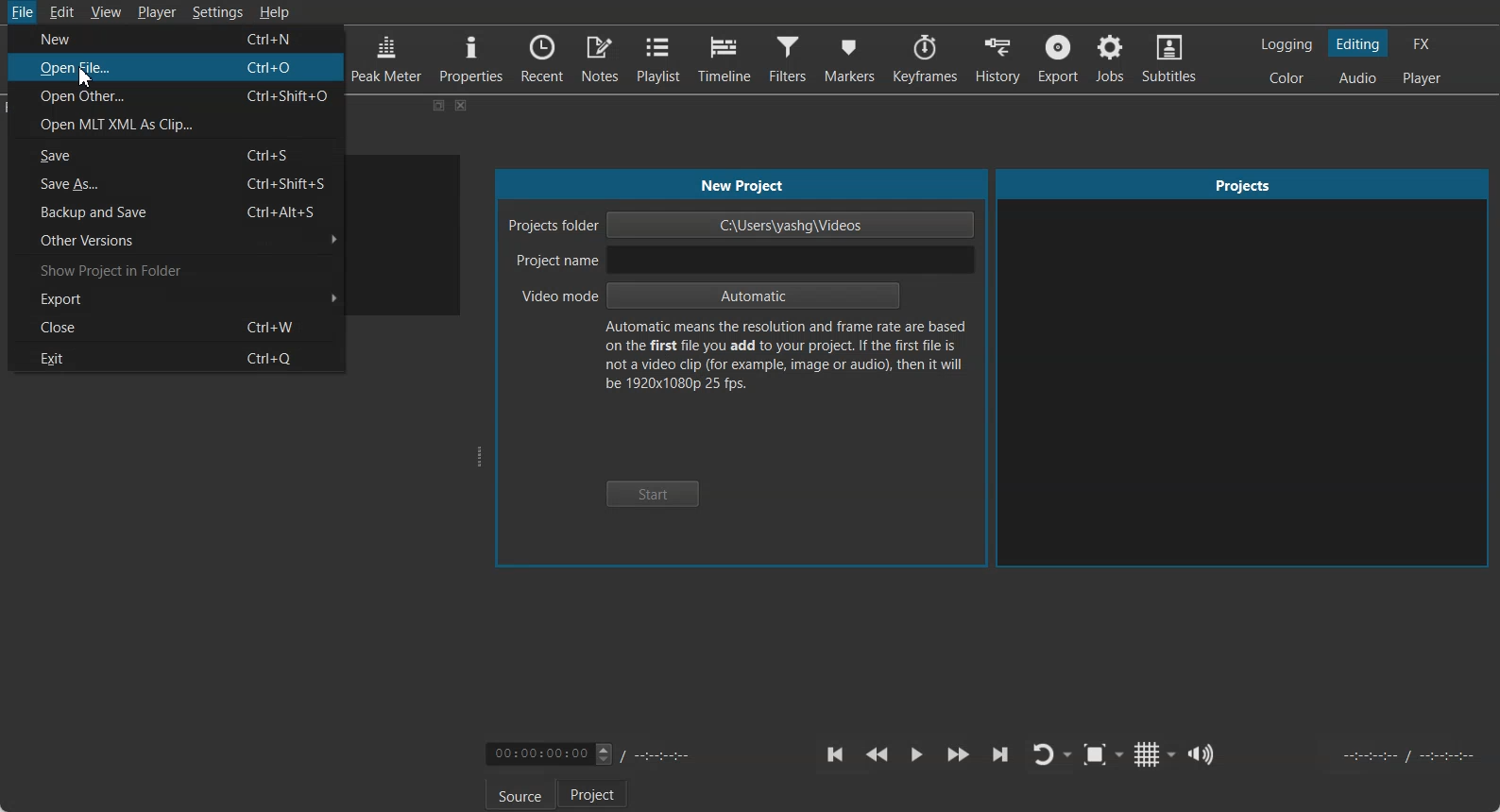 This screenshot has height=812, width=1500. I want to click on Switching to the Player only layout, so click(1423, 78).